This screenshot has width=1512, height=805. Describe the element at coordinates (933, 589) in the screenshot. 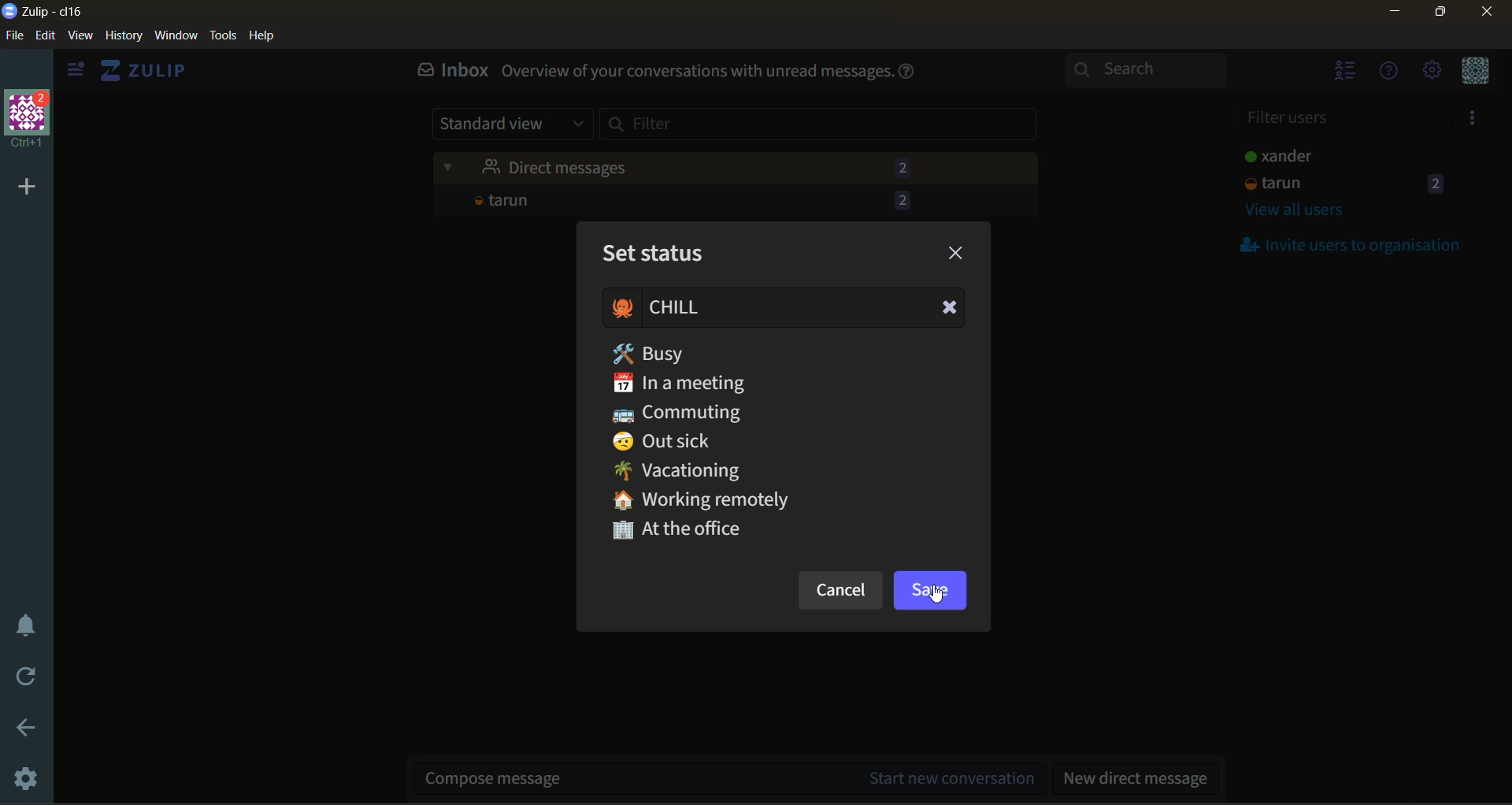

I see `save` at that location.